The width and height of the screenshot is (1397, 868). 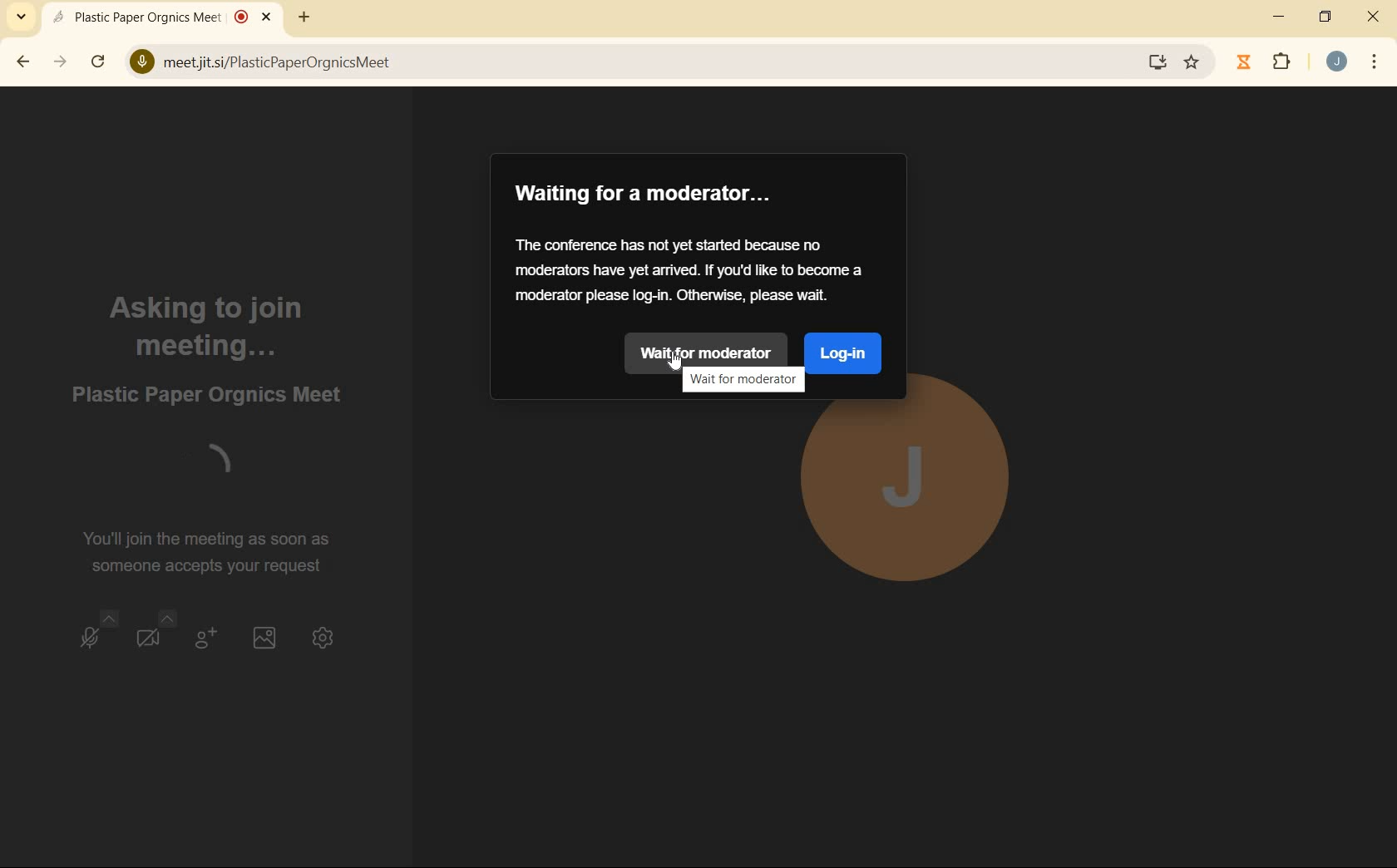 What do you see at coordinates (1158, 65) in the screenshot?
I see `install` at bounding box center [1158, 65].